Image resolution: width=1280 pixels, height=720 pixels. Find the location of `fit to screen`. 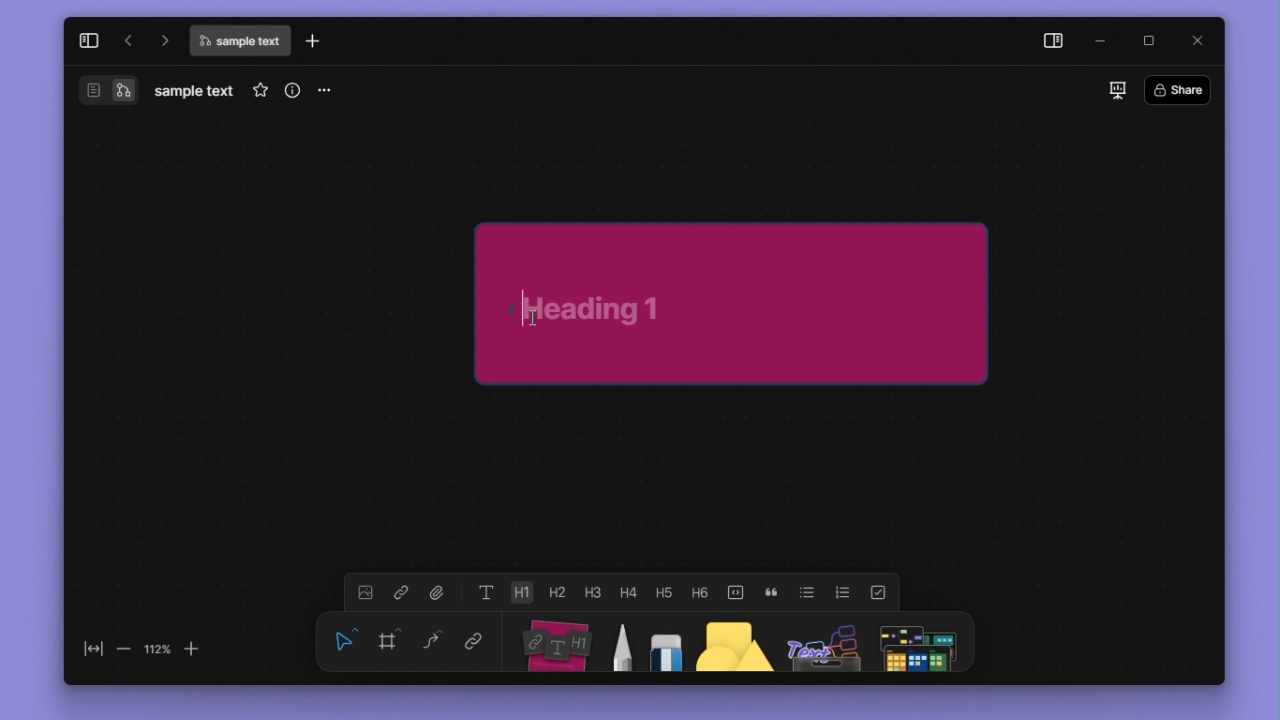

fit to screen is located at coordinates (94, 649).